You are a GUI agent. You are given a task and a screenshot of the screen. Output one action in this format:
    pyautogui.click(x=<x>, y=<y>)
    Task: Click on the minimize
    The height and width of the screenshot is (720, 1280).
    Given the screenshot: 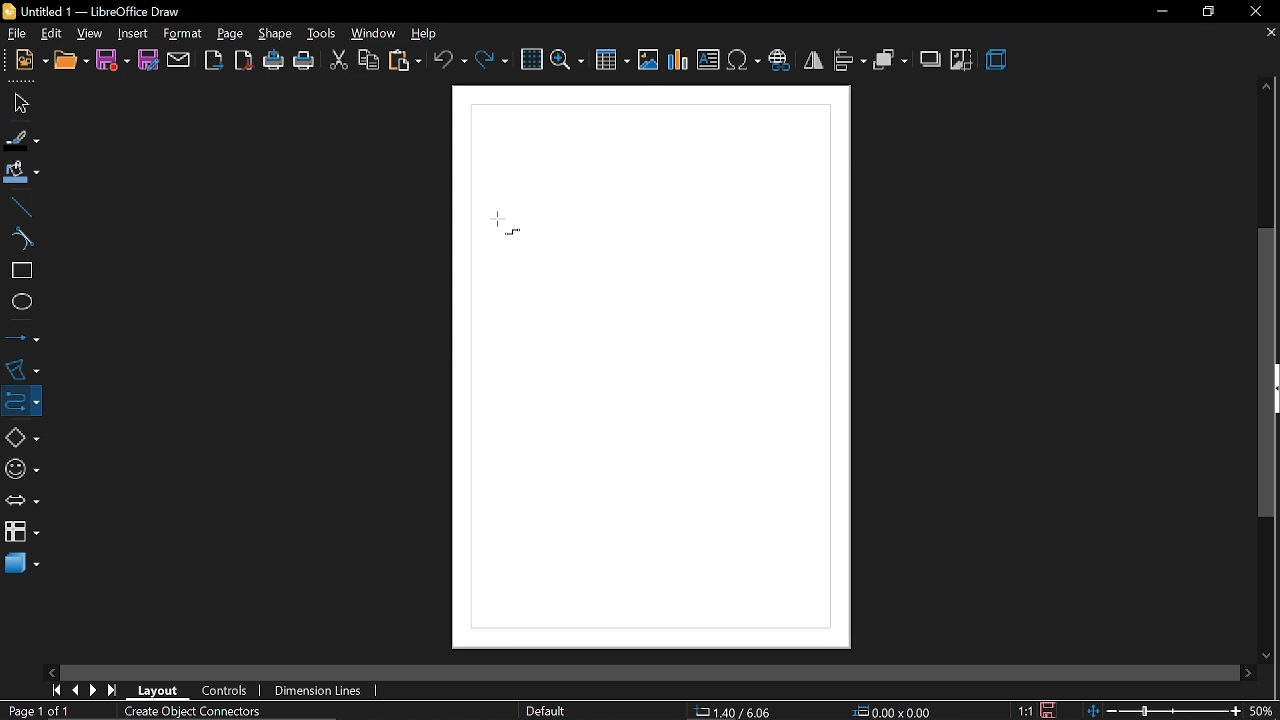 What is the action you would take?
    pyautogui.click(x=1158, y=12)
    